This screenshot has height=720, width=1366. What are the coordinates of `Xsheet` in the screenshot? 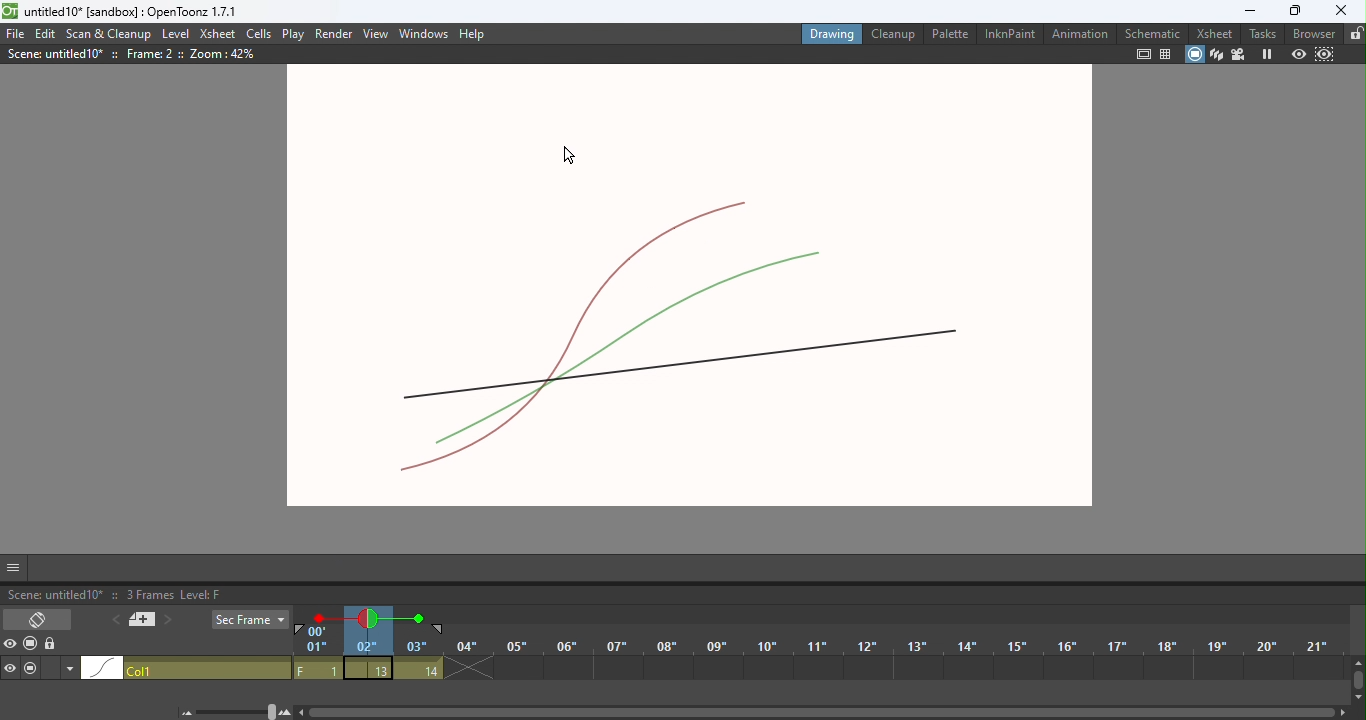 It's located at (217, 34).